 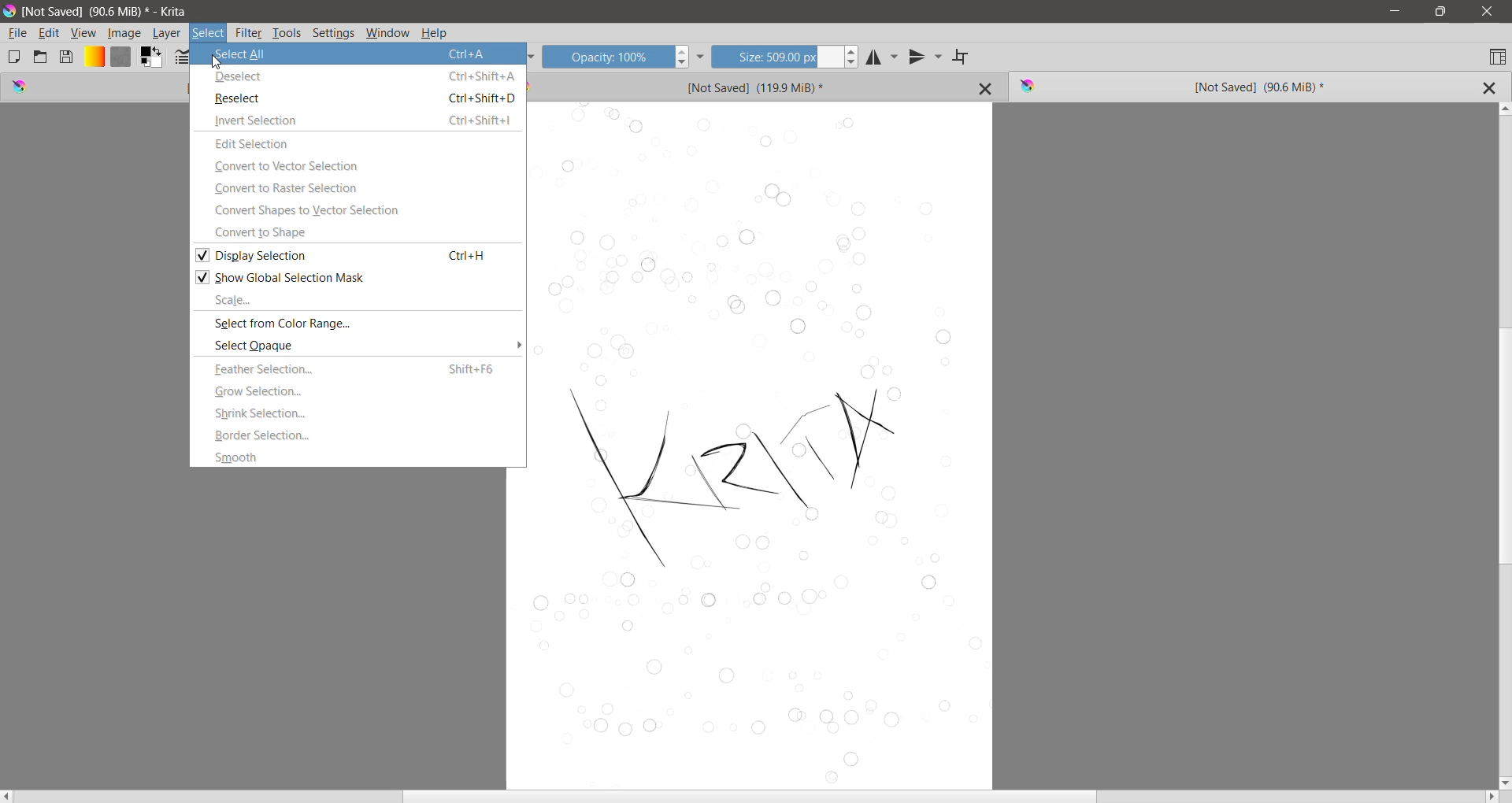 I want to click on Smooth, so click(x=359, y=457).